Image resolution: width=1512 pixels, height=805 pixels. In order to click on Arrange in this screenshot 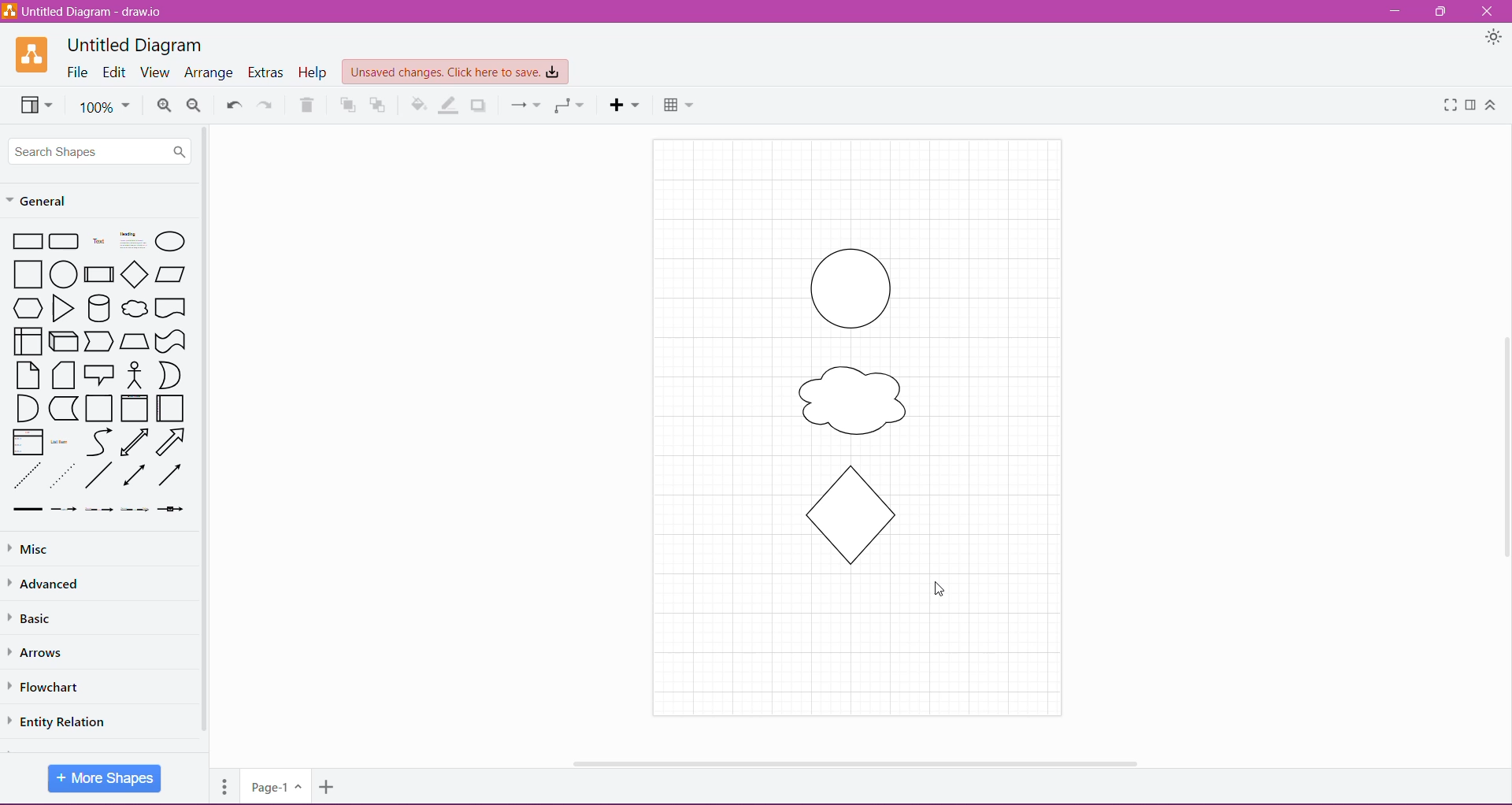, I will do `click(209, 73)`.